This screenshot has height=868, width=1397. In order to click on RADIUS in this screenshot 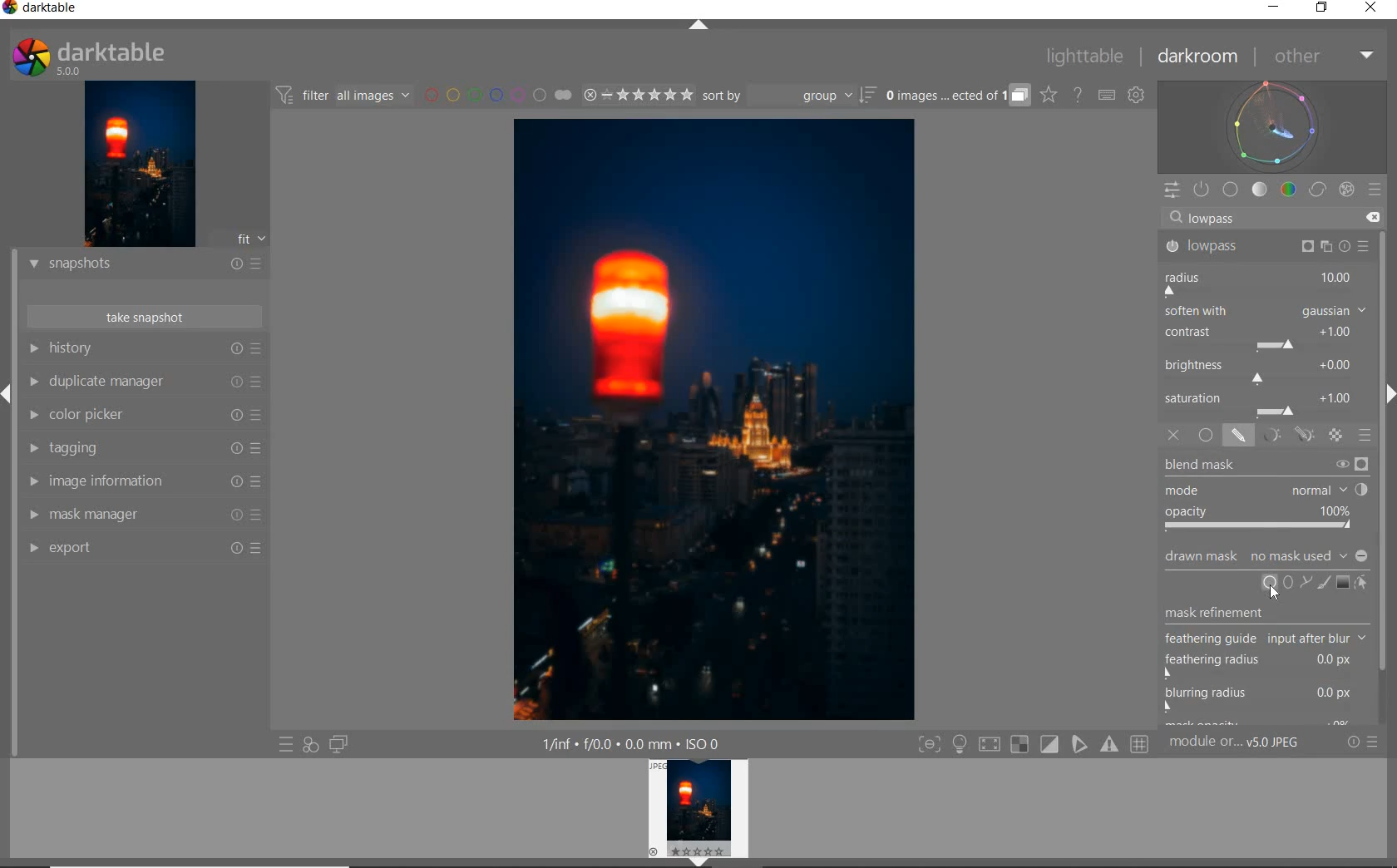, I will do `click(1263, 282)`.